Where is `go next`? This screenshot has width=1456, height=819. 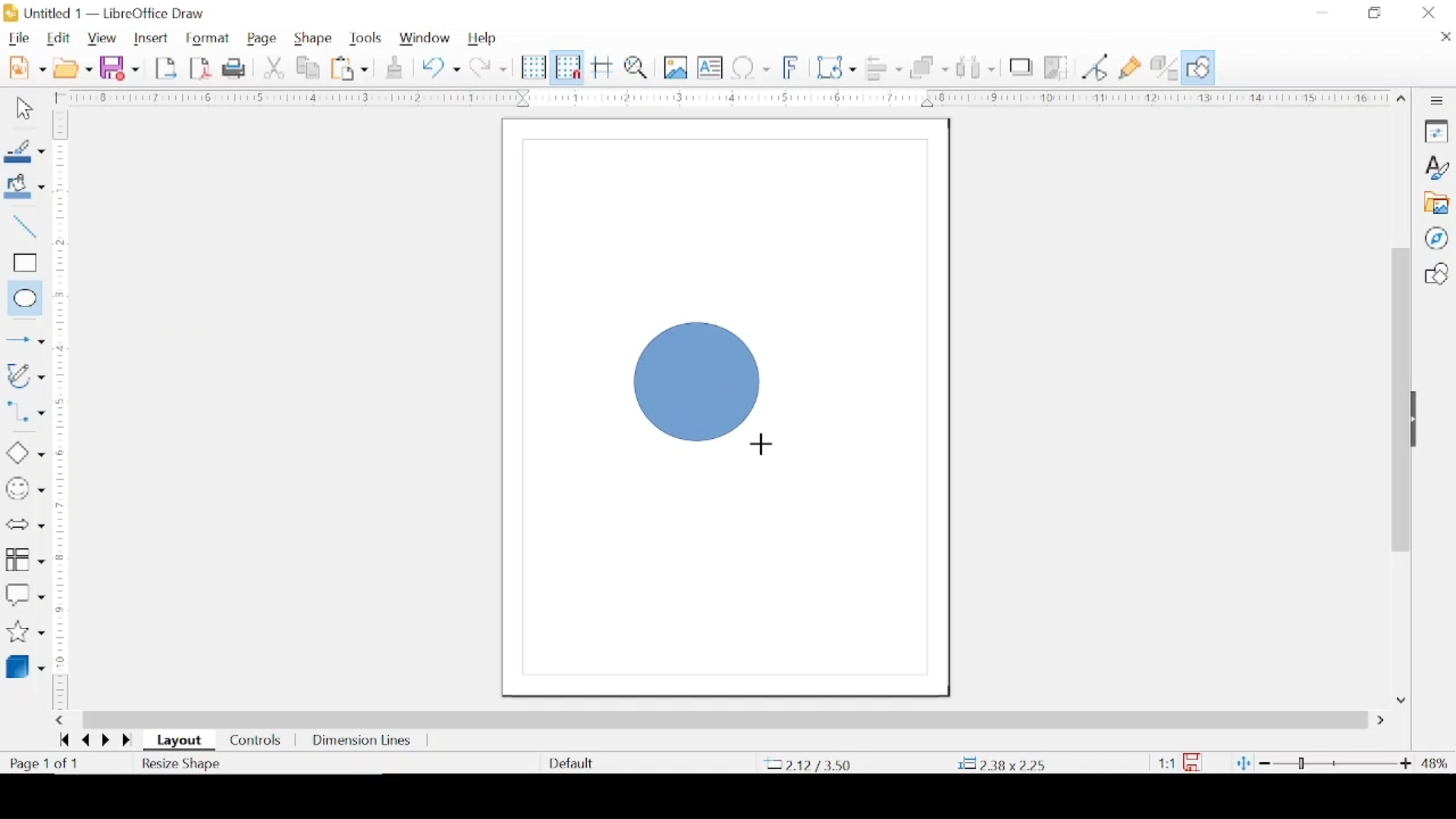
go next is located at coordinates (102, 740).